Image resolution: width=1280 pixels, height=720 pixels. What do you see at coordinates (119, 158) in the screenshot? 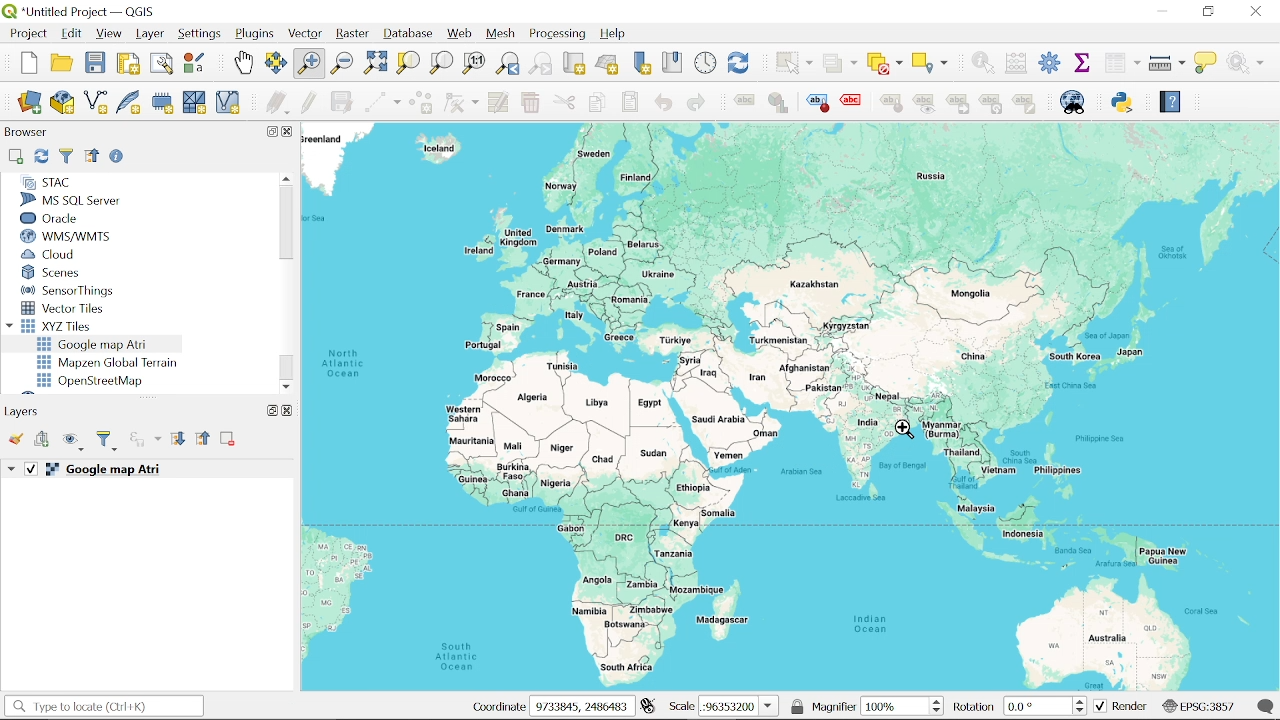
I see `Enable/ disable` at bounding box center [119, 158].